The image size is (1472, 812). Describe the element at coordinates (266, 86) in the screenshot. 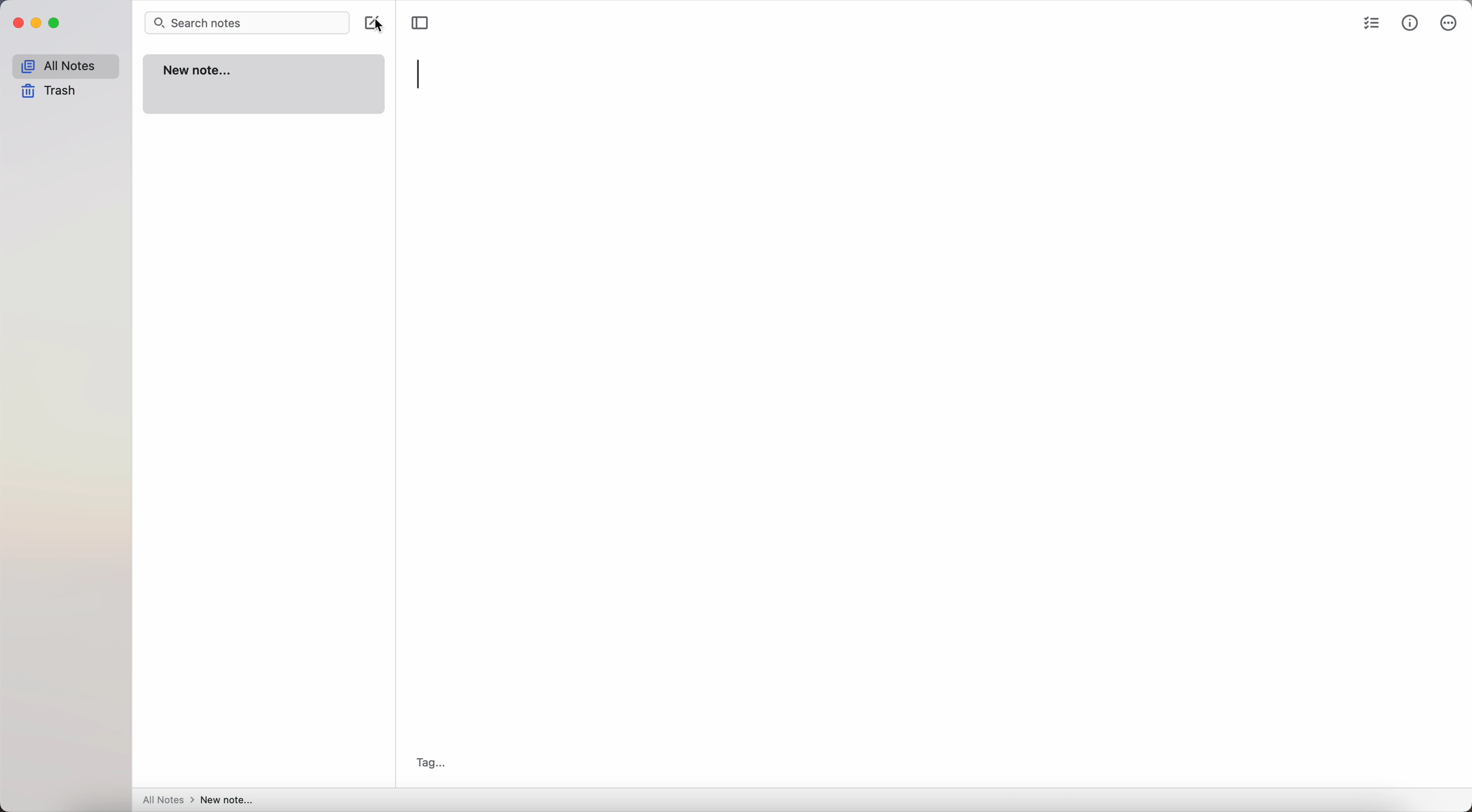

I see `new note` at that location.